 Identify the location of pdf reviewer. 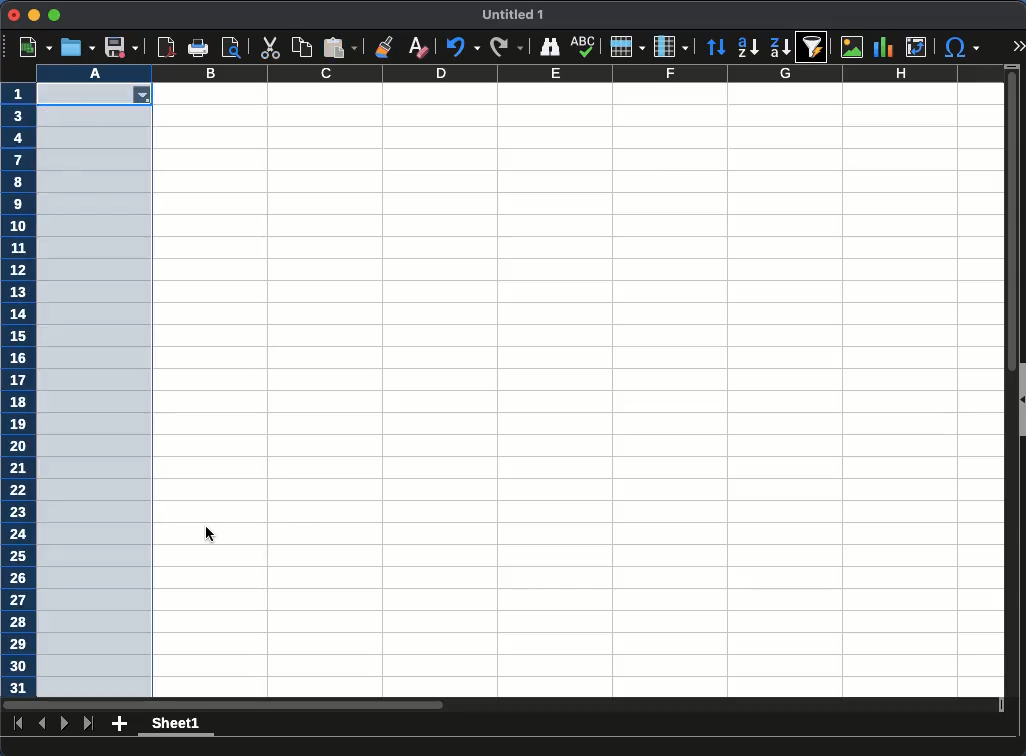
(167, 47).